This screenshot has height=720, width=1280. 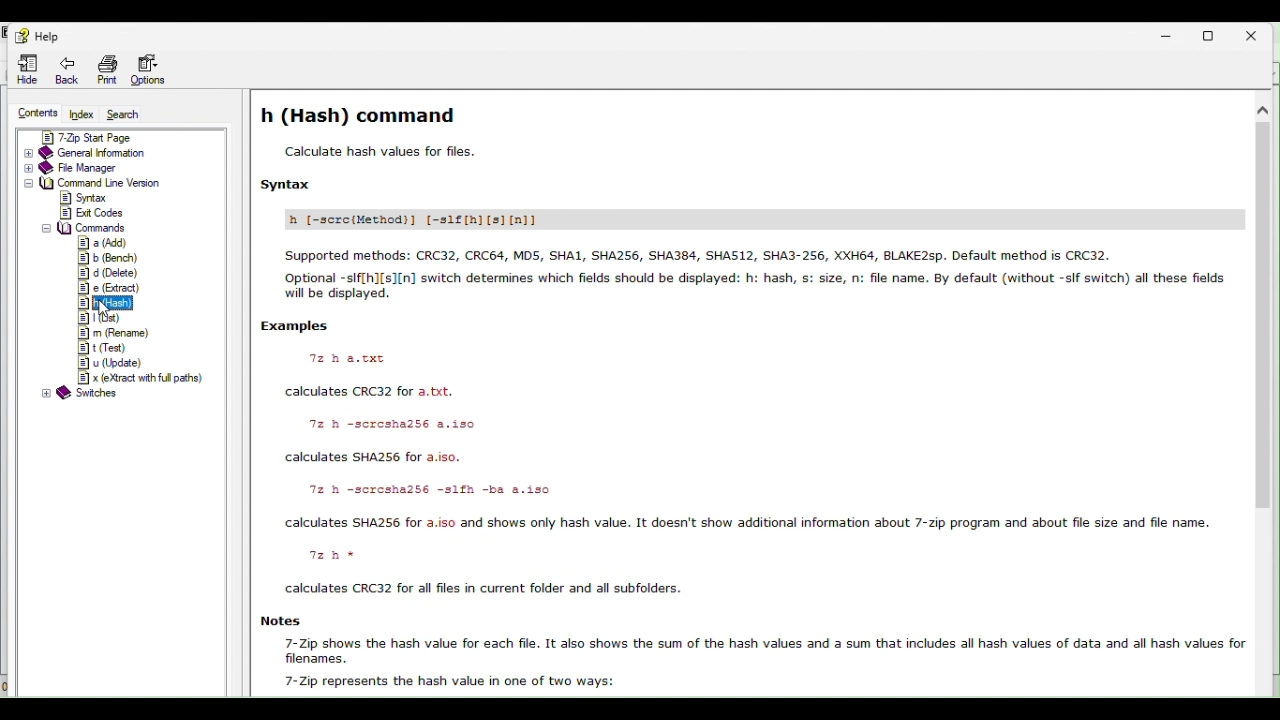 What do you see at coordinates (102, 199) in the screenshot?
I see `Syntax` at bounding box center [102, 199].